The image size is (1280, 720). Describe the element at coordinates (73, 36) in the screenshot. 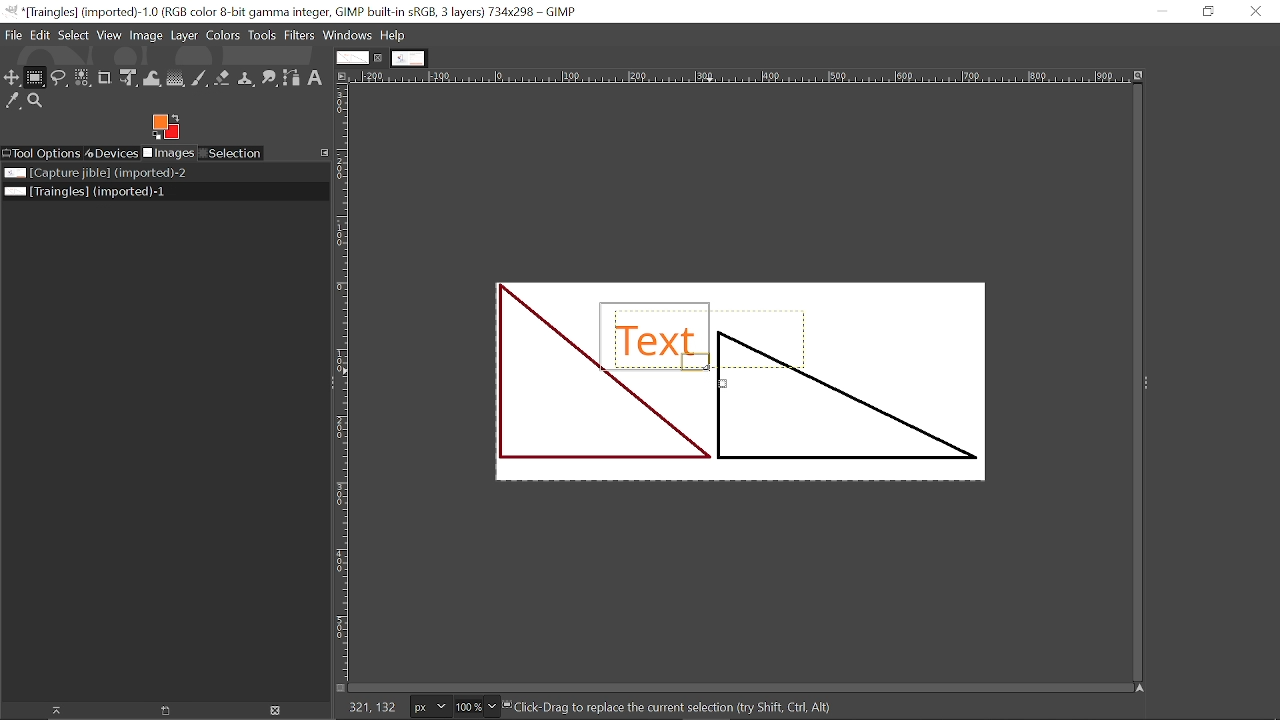

I see `Select` at that location.